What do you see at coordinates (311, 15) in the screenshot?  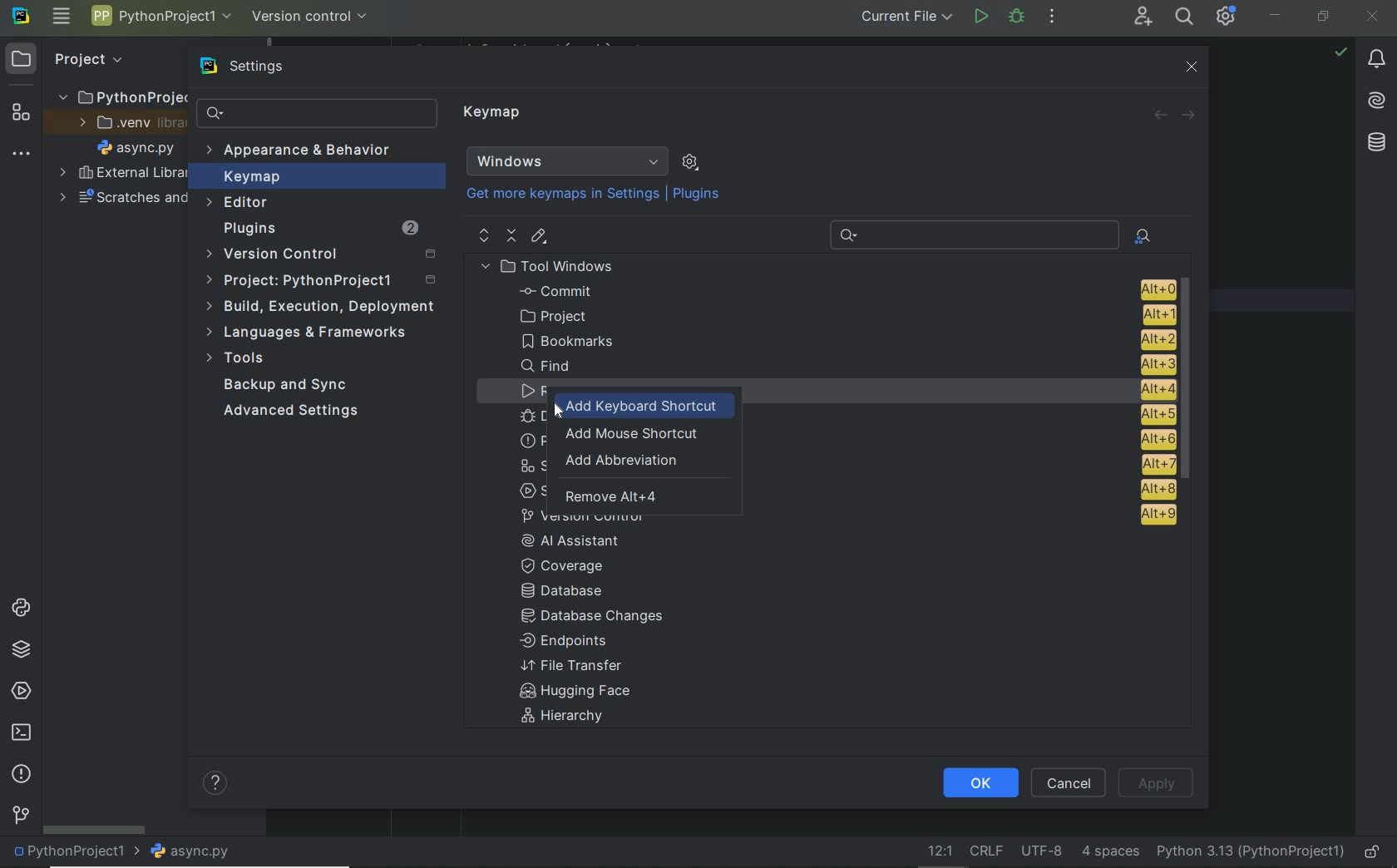 I see `version control` at bounding box center [311, 15].